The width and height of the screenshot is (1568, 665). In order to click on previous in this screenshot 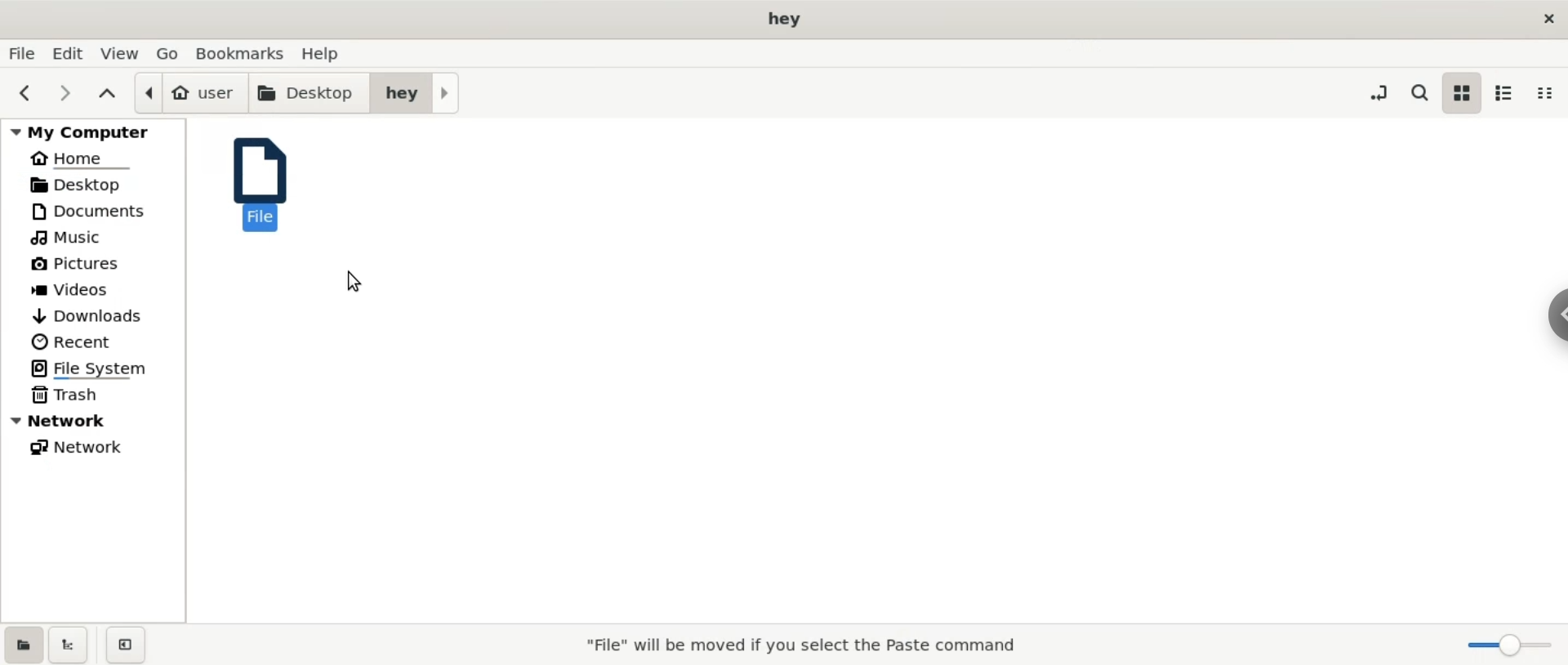, I will do `click(25, 94)`.